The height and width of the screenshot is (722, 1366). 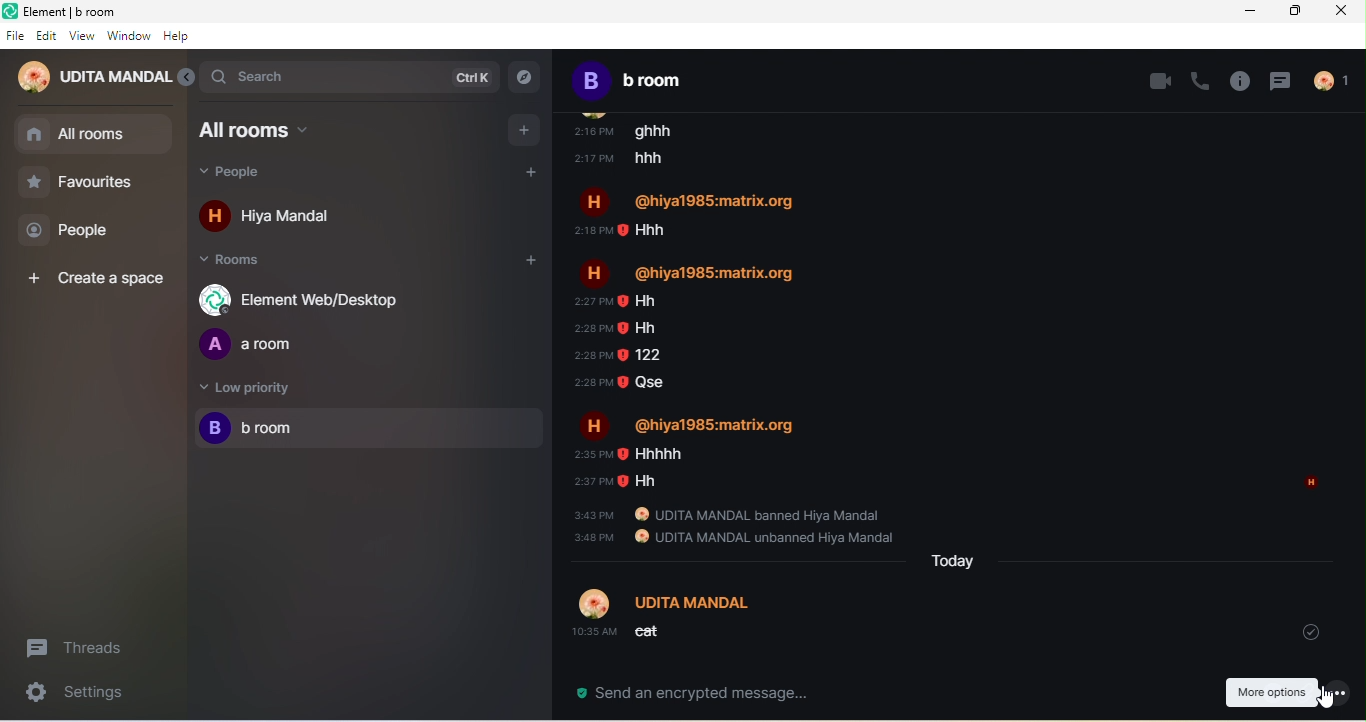 I want to click on people, so click(x=254, y=175).